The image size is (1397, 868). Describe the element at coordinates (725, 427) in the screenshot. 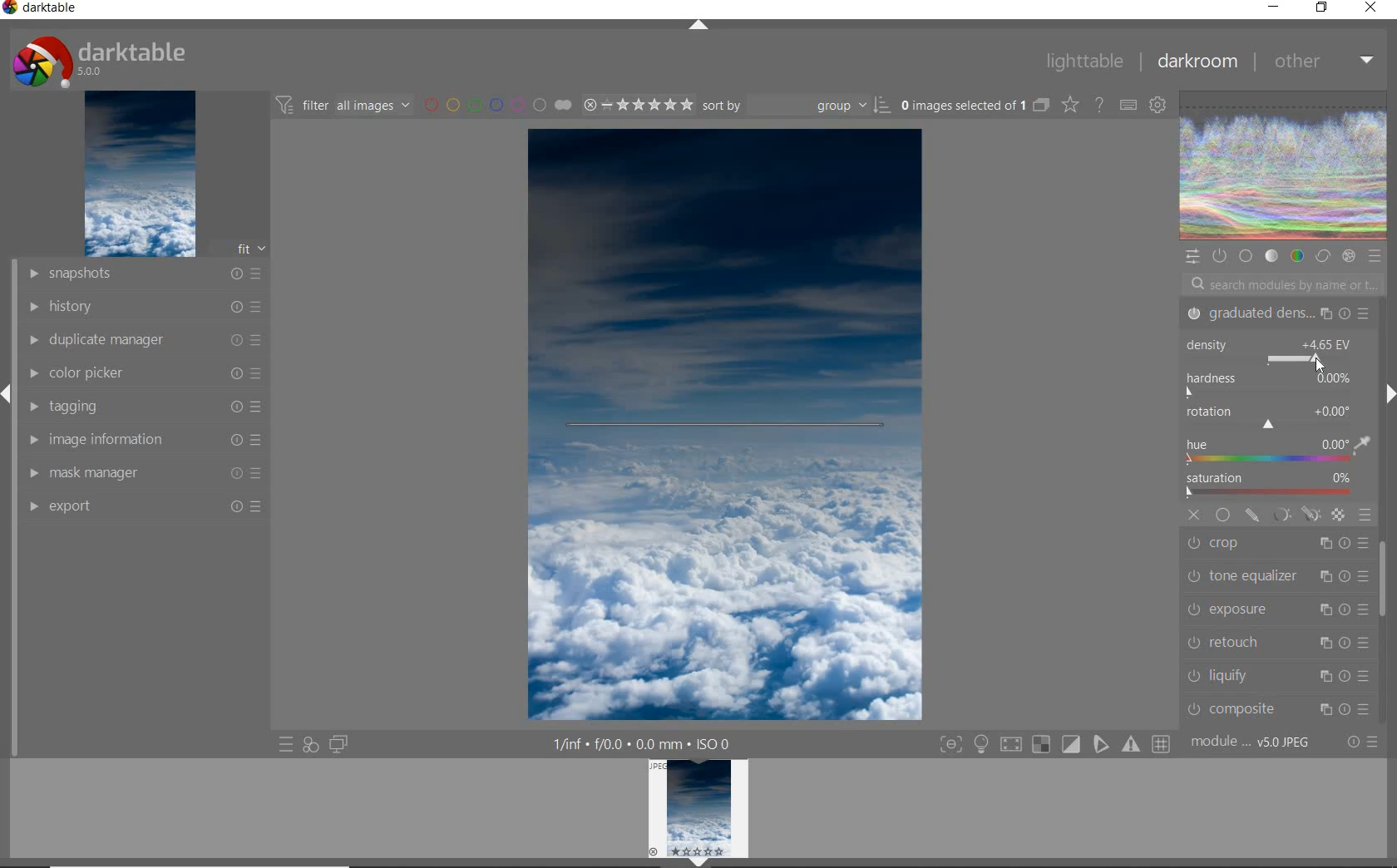

I see `DENSITY LINE` at that location.